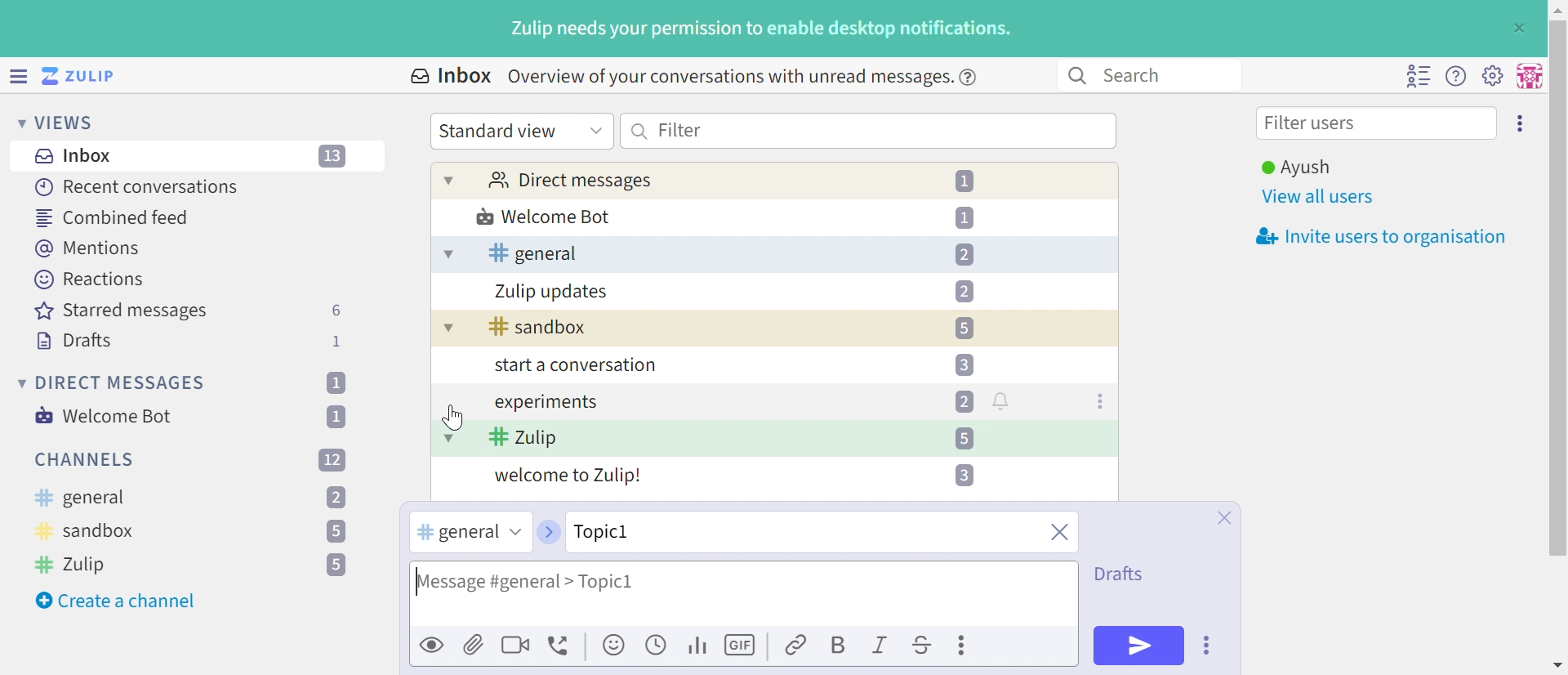 Image resolution: width=1568 pixels, height=675 pixels. I want to click on Standard view, so click(501, 131).